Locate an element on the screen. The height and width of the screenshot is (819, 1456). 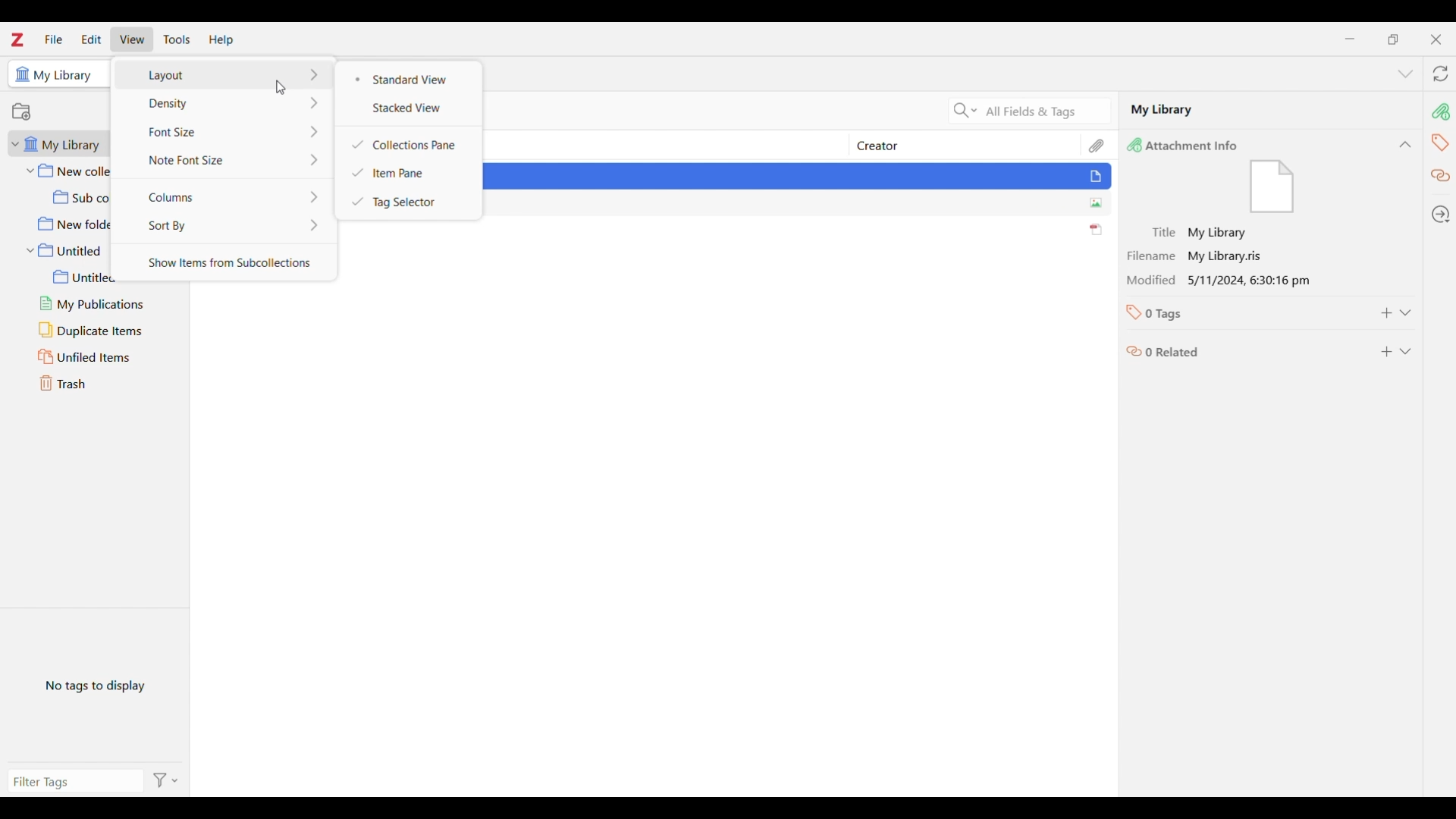
Modification date and time of selected file is located at coordinates (1220, 281).